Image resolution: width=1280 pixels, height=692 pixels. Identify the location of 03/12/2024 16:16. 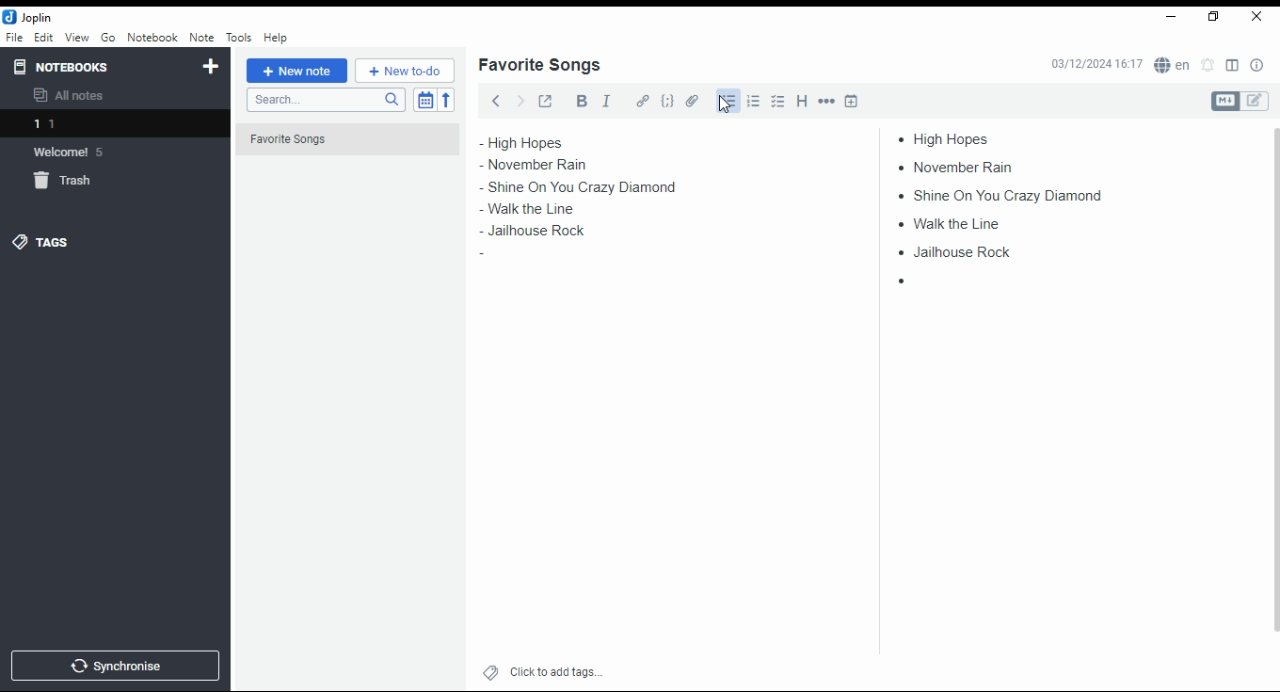
(1096, 64).